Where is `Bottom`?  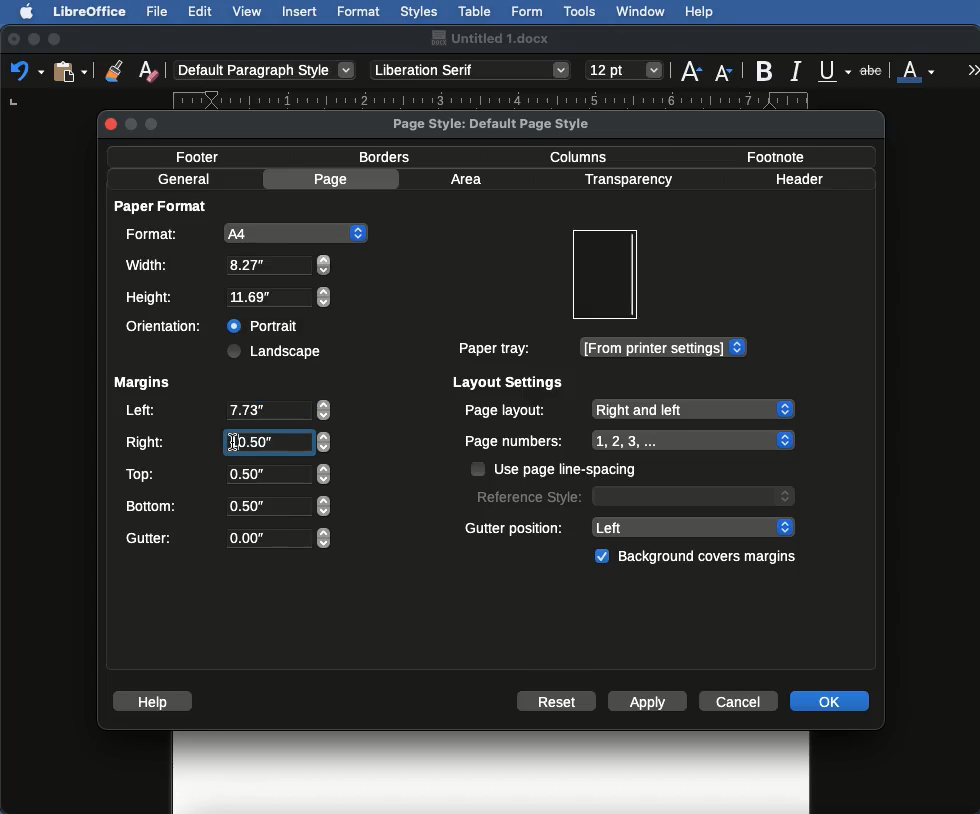
Bottom is located at coordinates (227, 504).